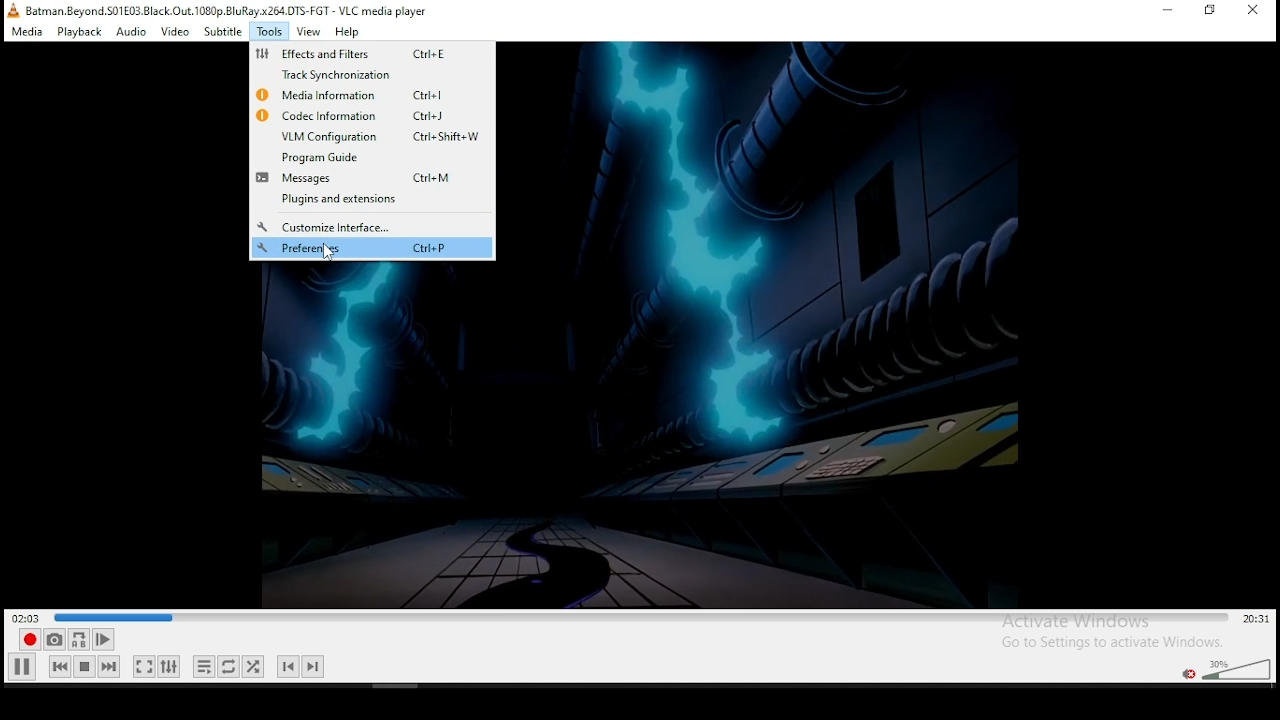 The width and height of the screenshot is (1280, 720). Describe the element at coordinates (309, 31) in the screenshot. I see `view` at that location.